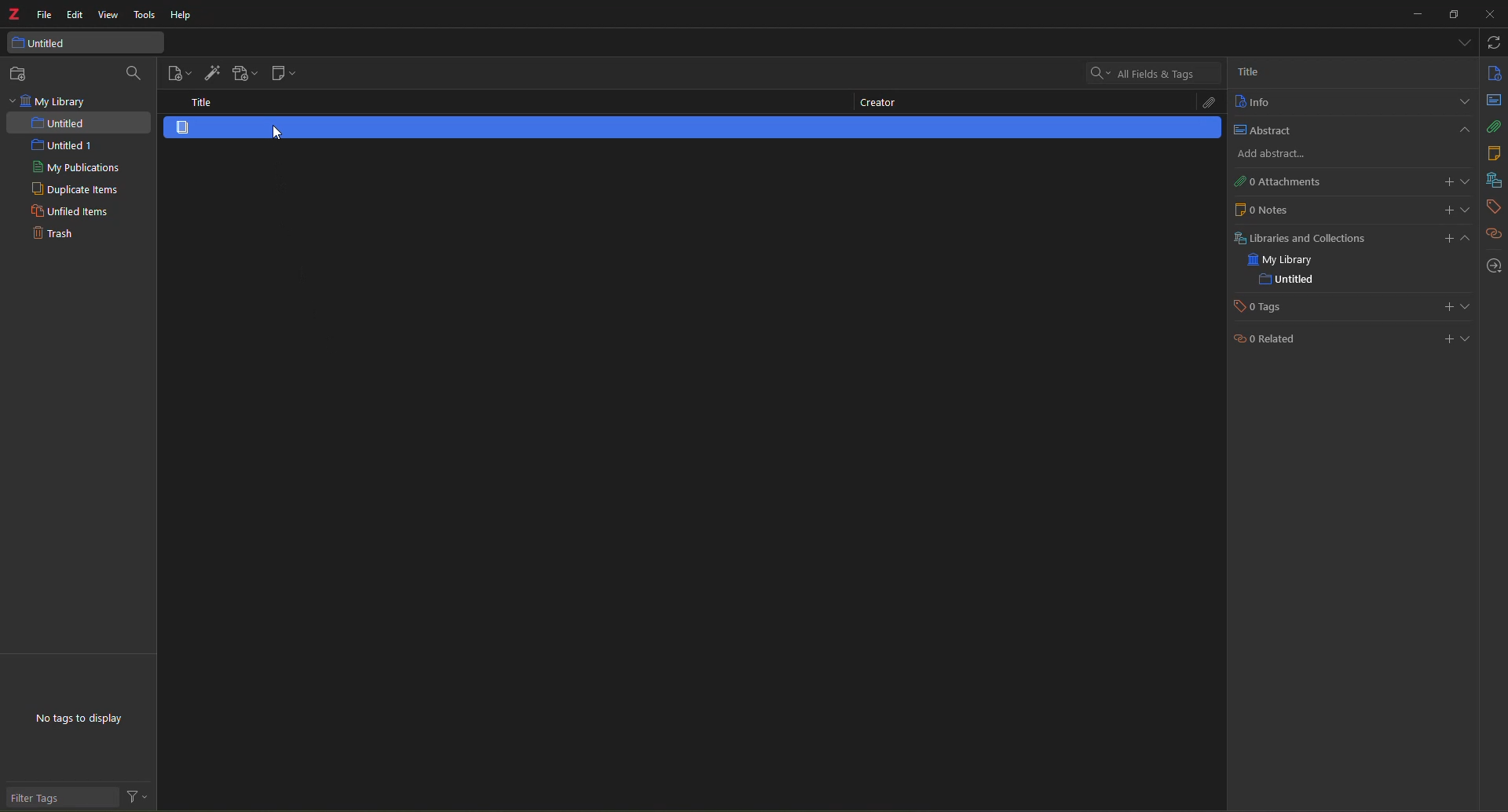 The width and height of the screenshot is (1508, 812). Describe the element at coordinates (68, 213) in the screenshot. I see `unfiled item` at that location.